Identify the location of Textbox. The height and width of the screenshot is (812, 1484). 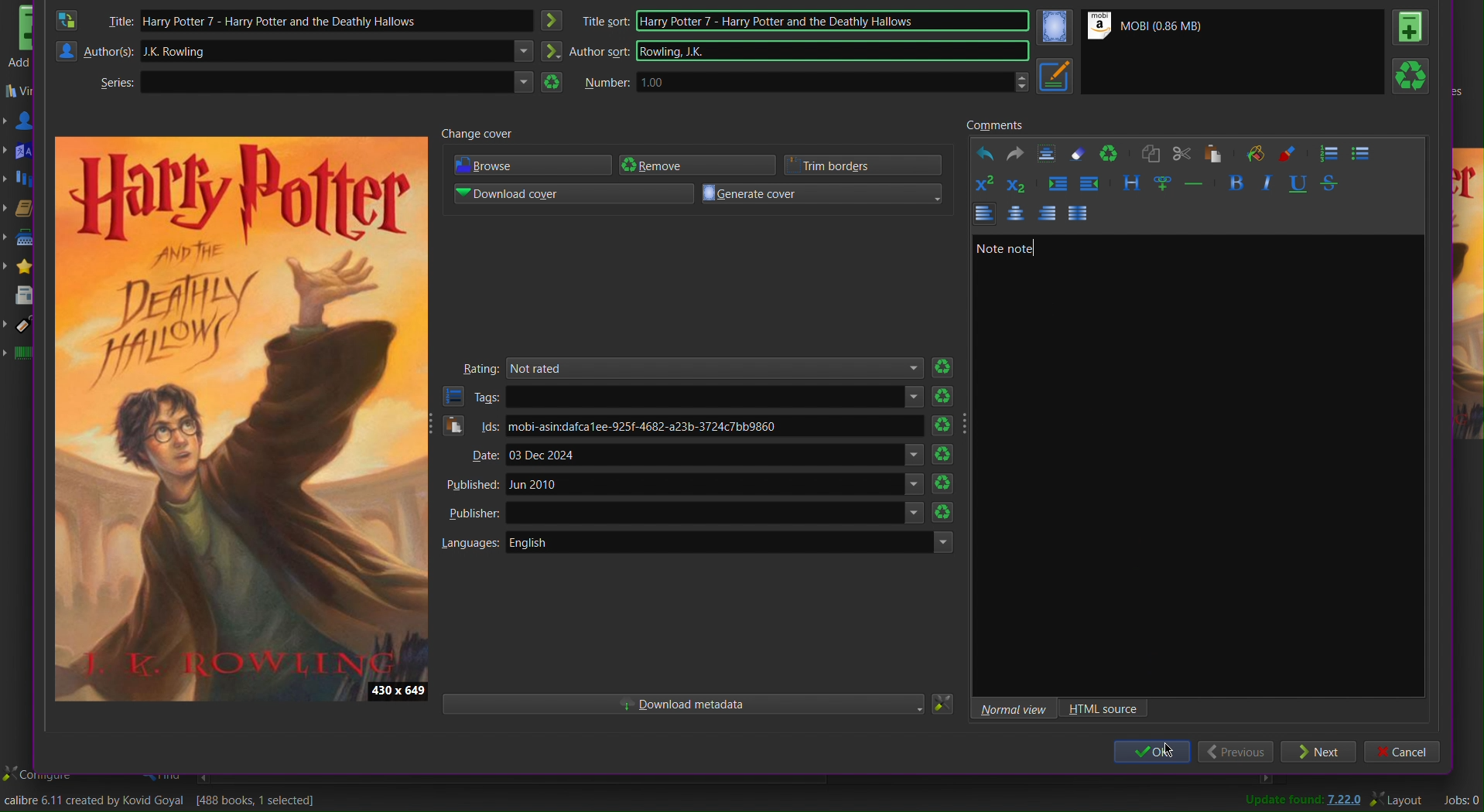
(1046, 152).